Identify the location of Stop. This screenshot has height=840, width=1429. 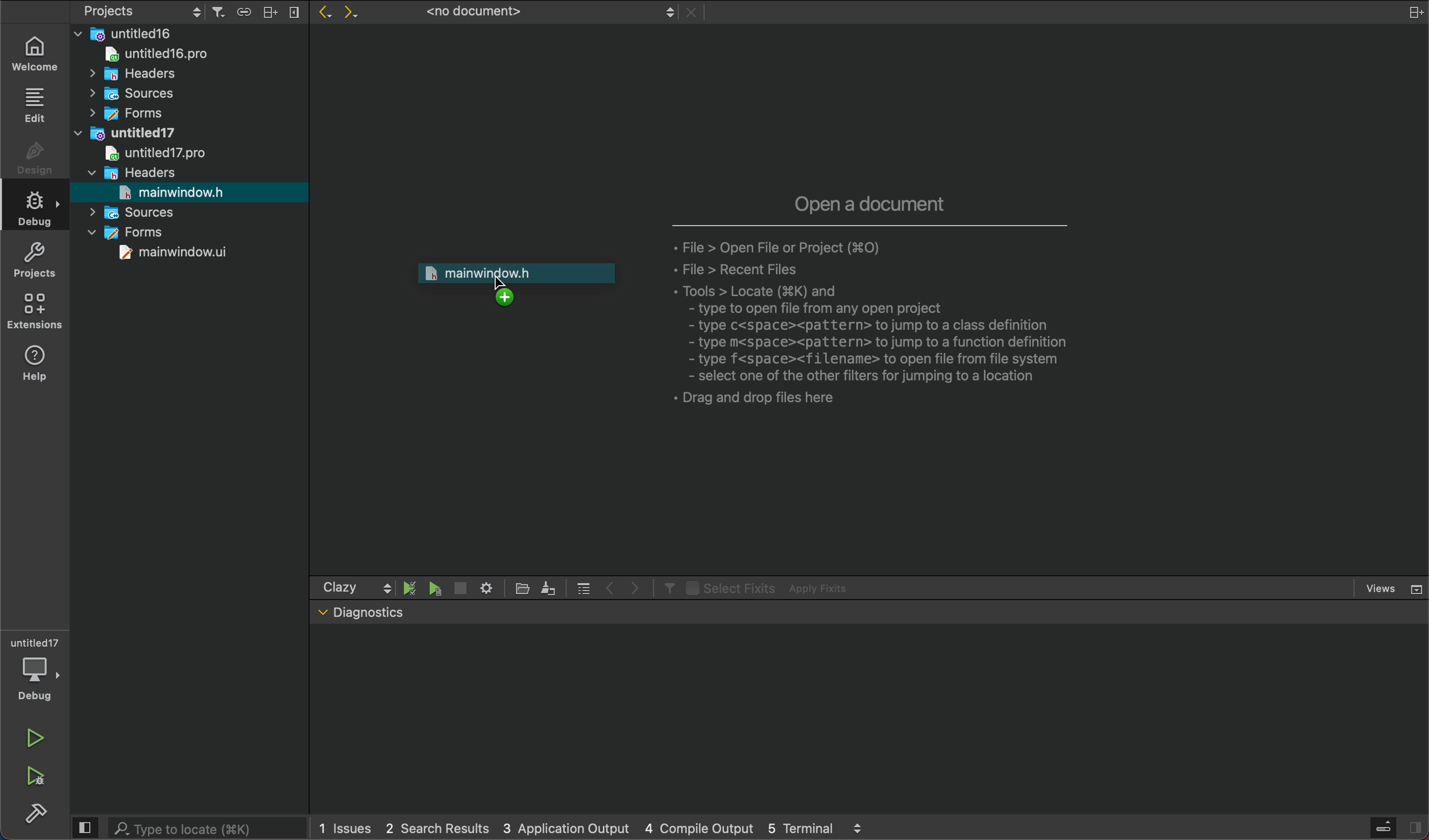
(459, 588).